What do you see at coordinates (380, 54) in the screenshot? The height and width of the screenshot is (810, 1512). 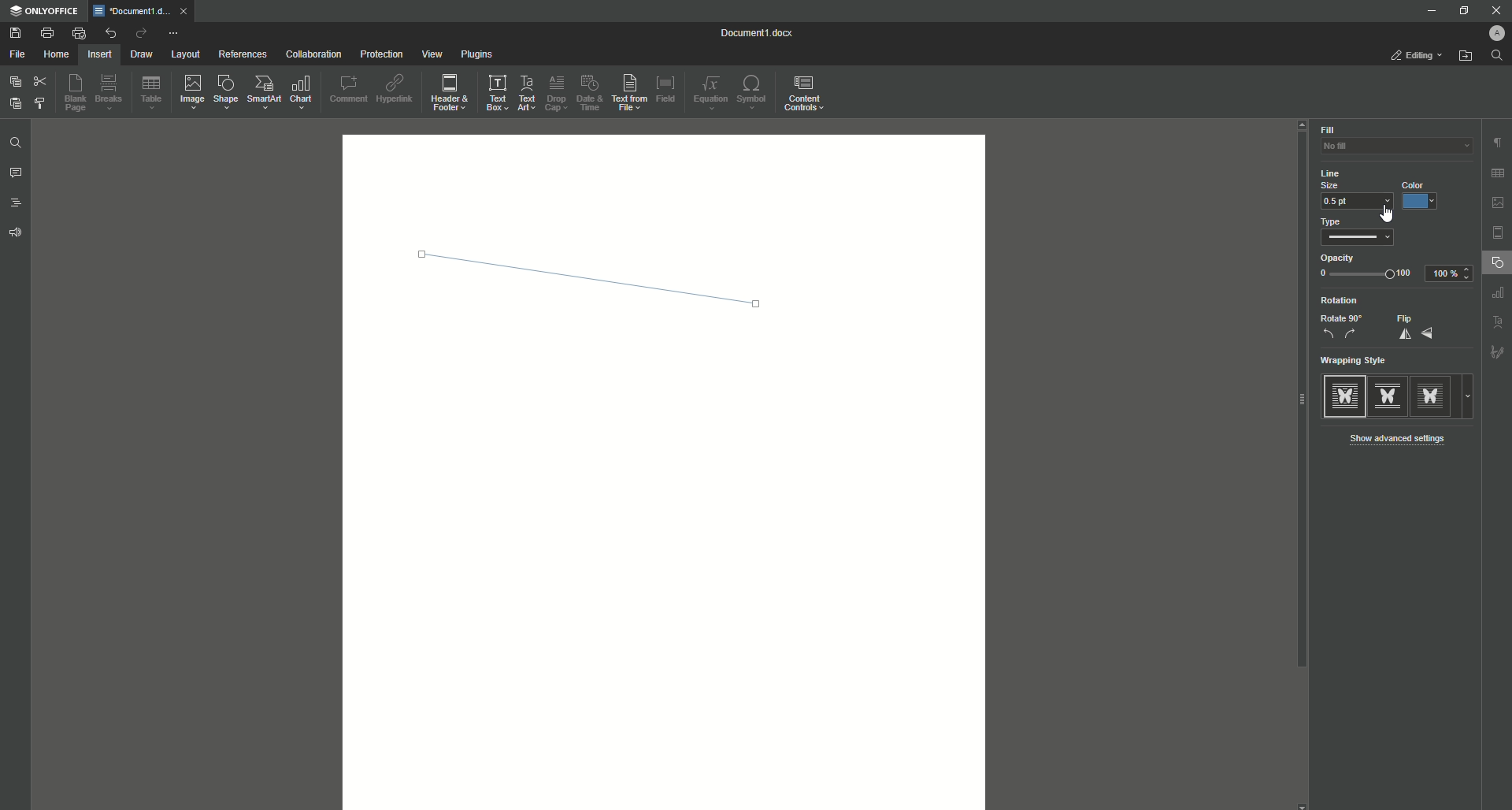 I see `Protection` at bounding box center [380, 54].